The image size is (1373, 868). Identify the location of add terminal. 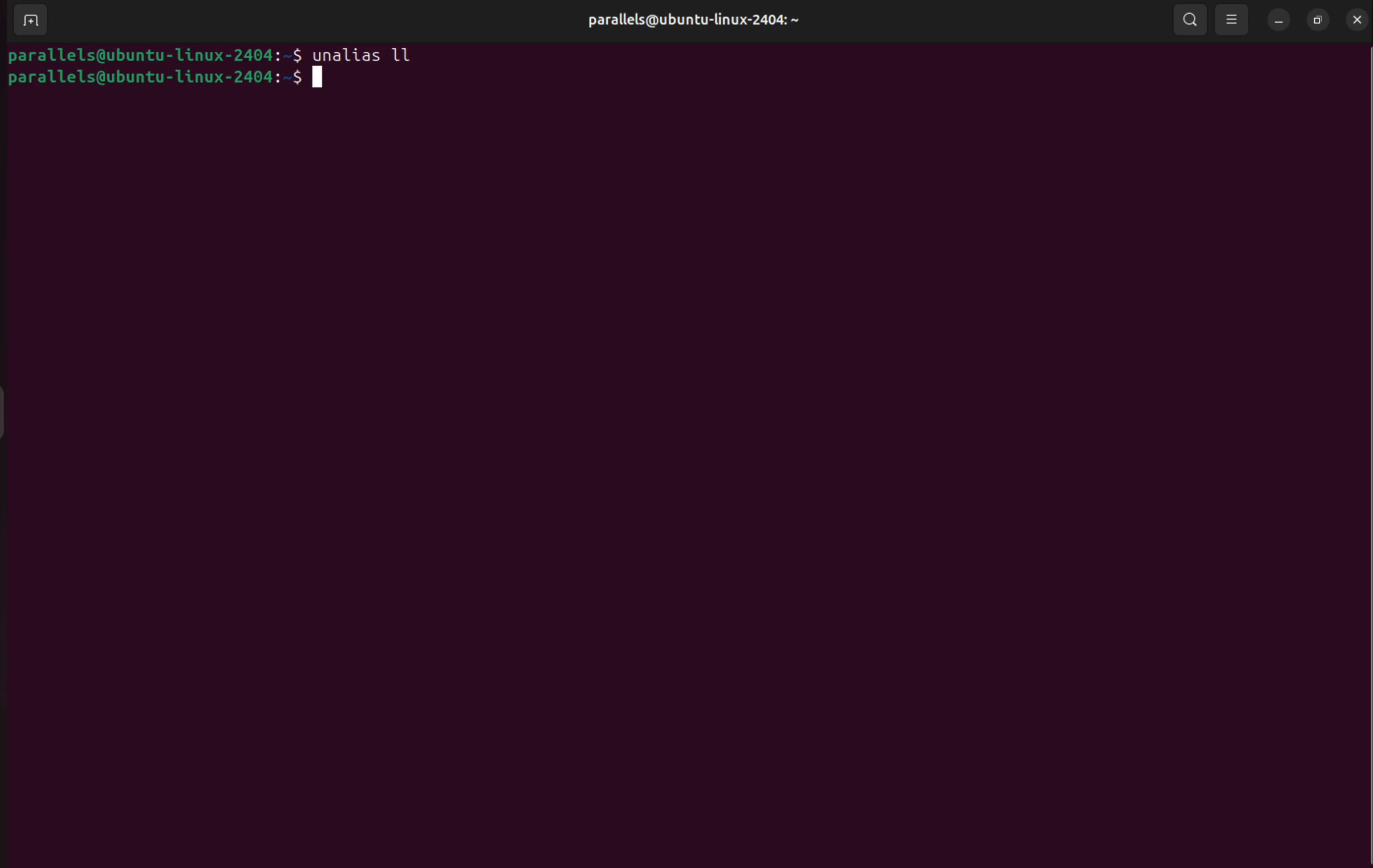
(27, 22).